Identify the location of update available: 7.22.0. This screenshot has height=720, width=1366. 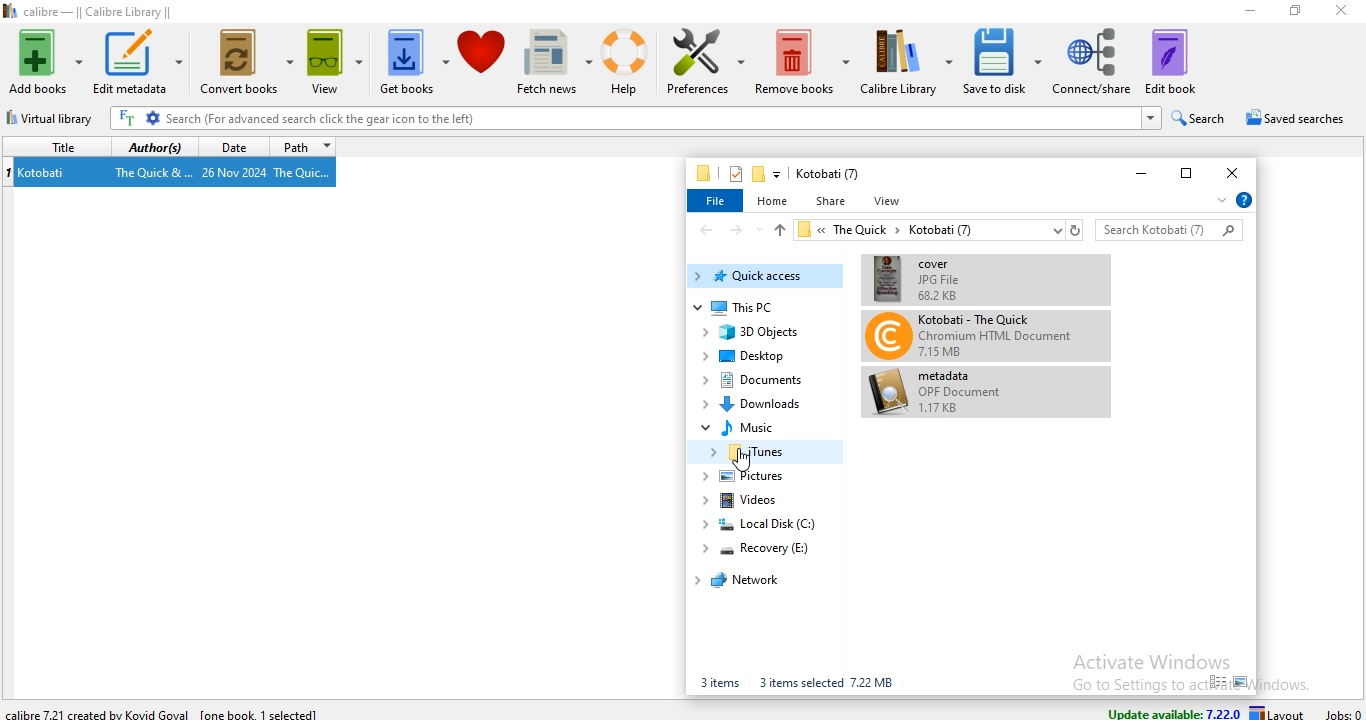
(1172, 710).